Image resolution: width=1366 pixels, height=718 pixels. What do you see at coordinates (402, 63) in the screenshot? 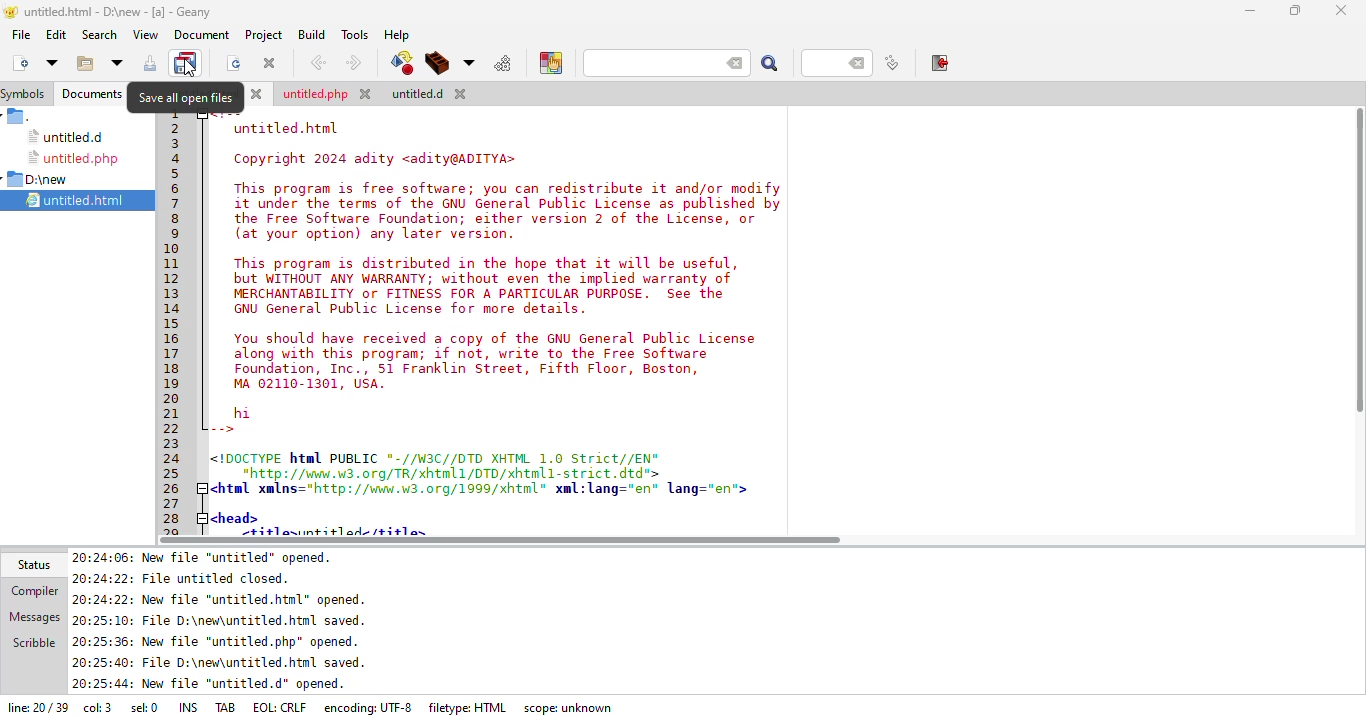
I see `compile` at bounding box center [402, 63].